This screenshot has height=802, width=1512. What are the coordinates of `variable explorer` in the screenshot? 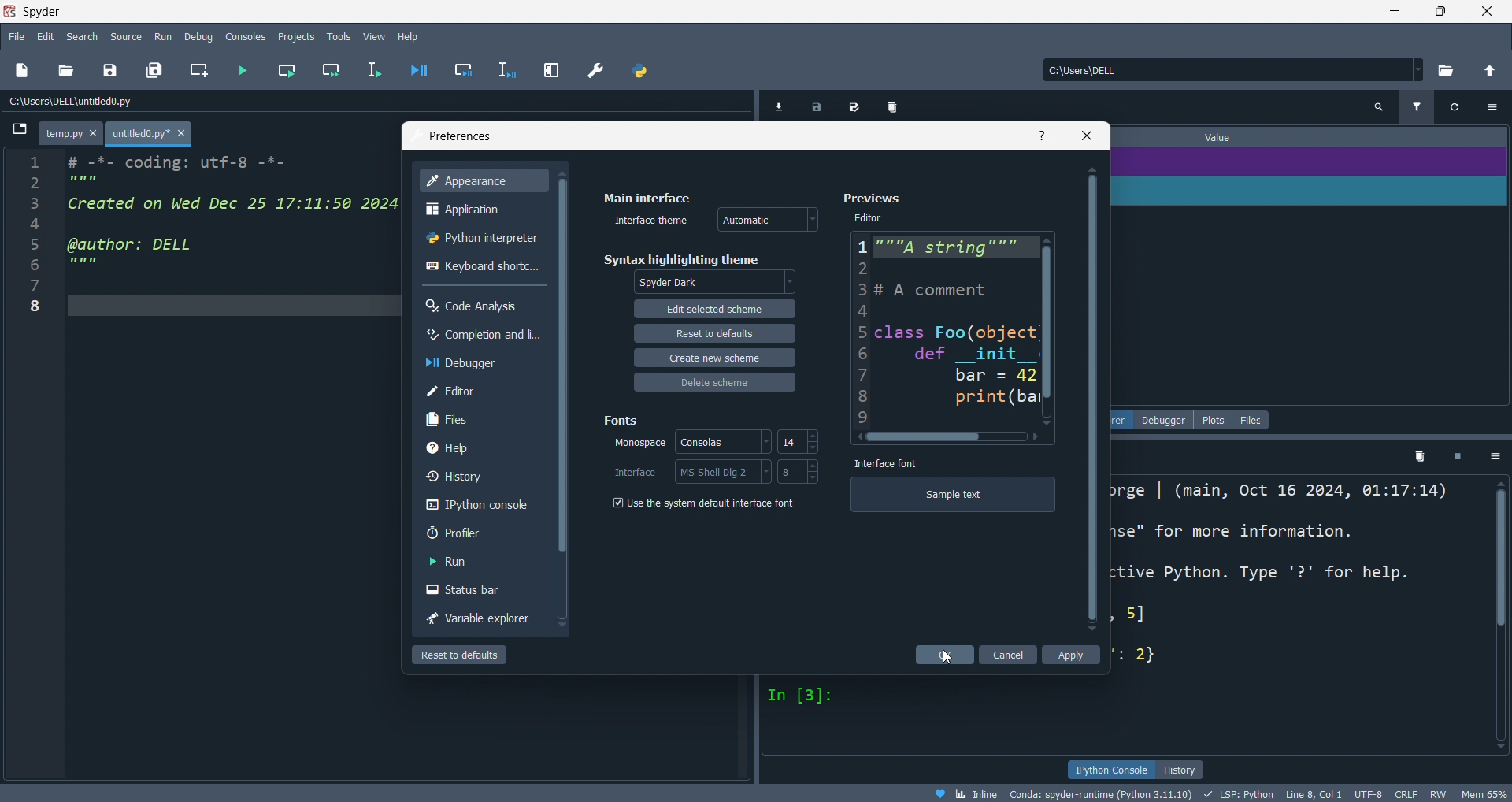 It's located at (1126, 419).